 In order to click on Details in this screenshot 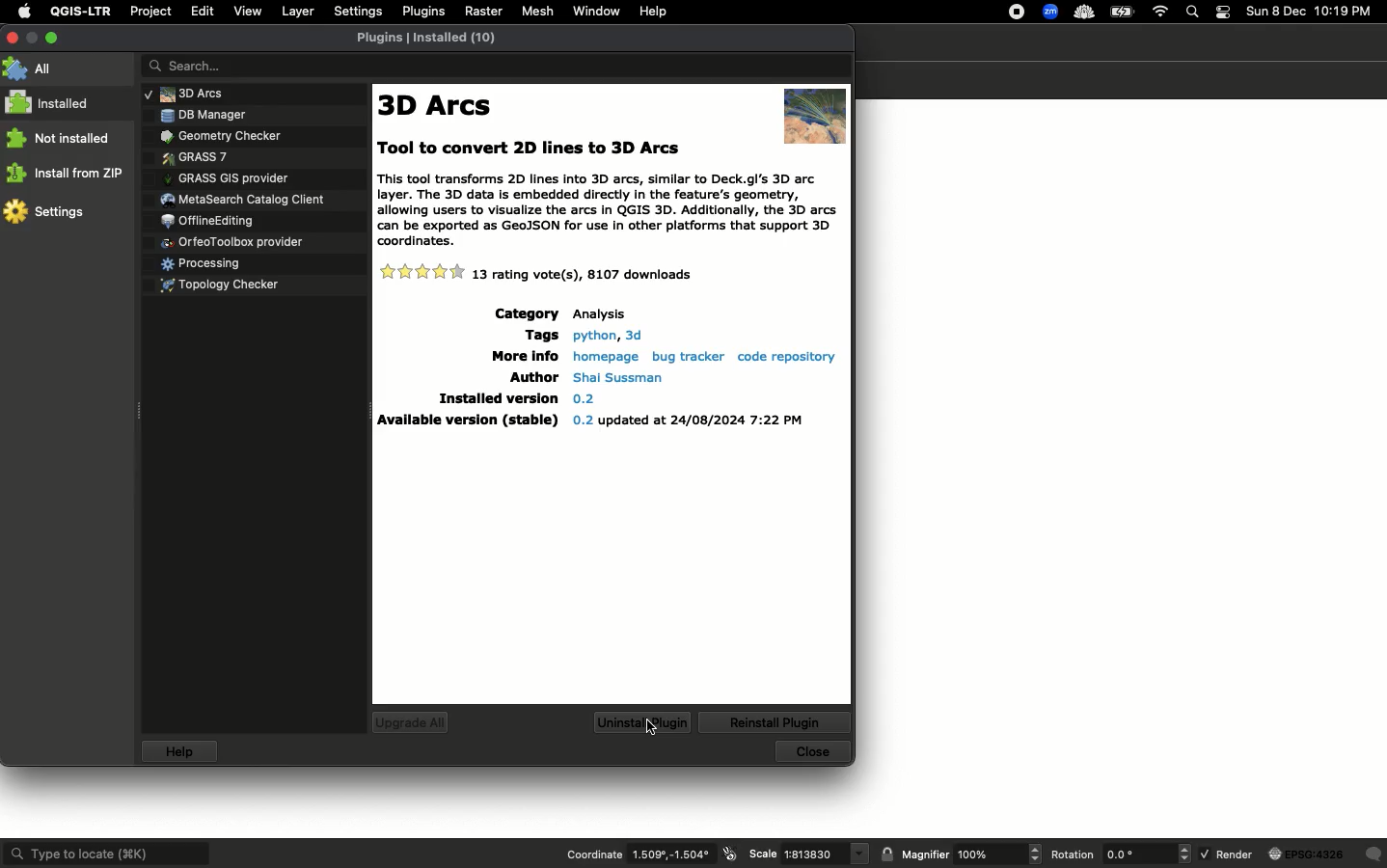, I will do `click(612, 270)`.